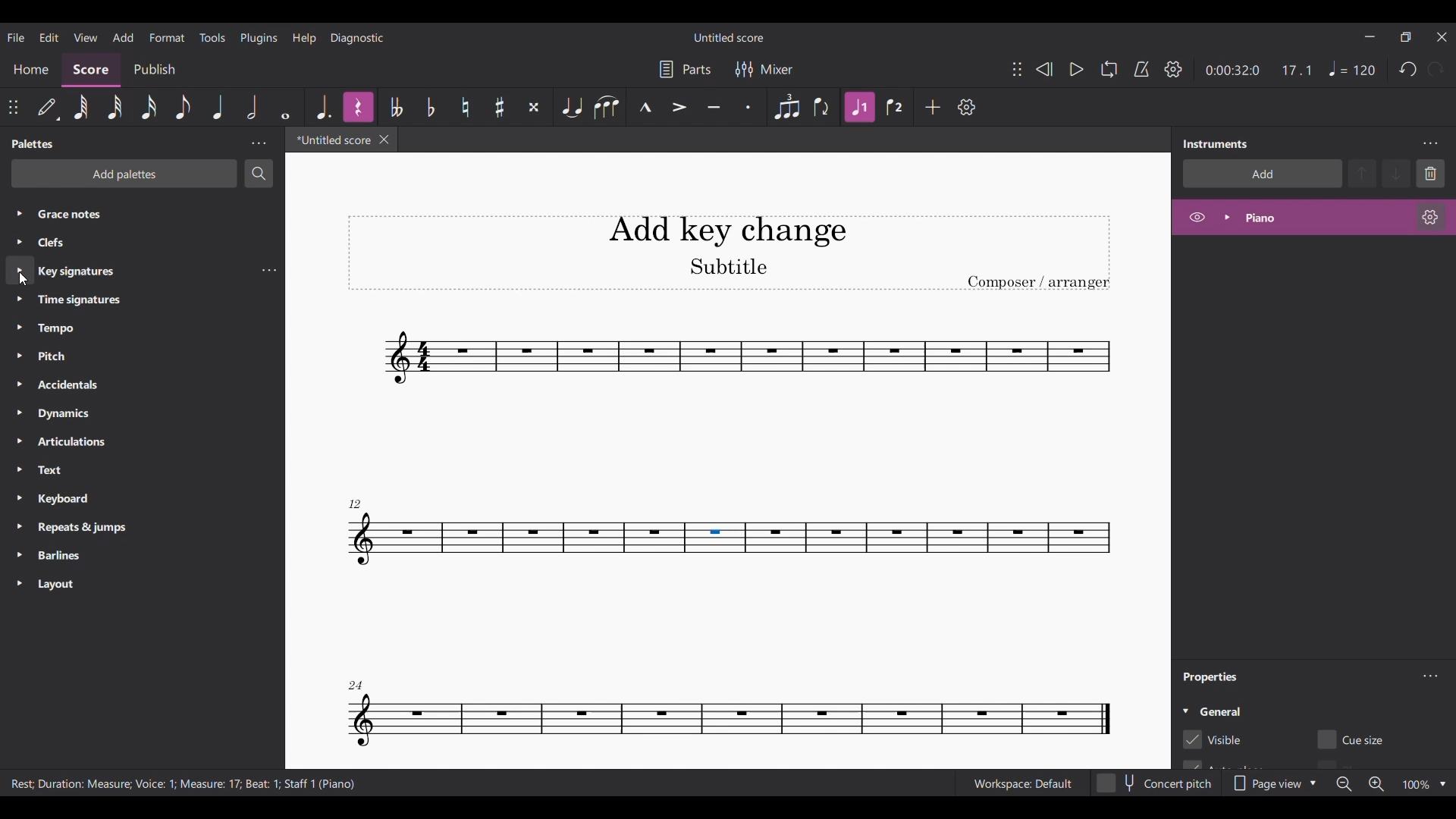 The width and height of the screenshot is (1456, 819). Describe the element at coordinates (1376, 784) in the screenshot. I see `Zoom in` at that location.